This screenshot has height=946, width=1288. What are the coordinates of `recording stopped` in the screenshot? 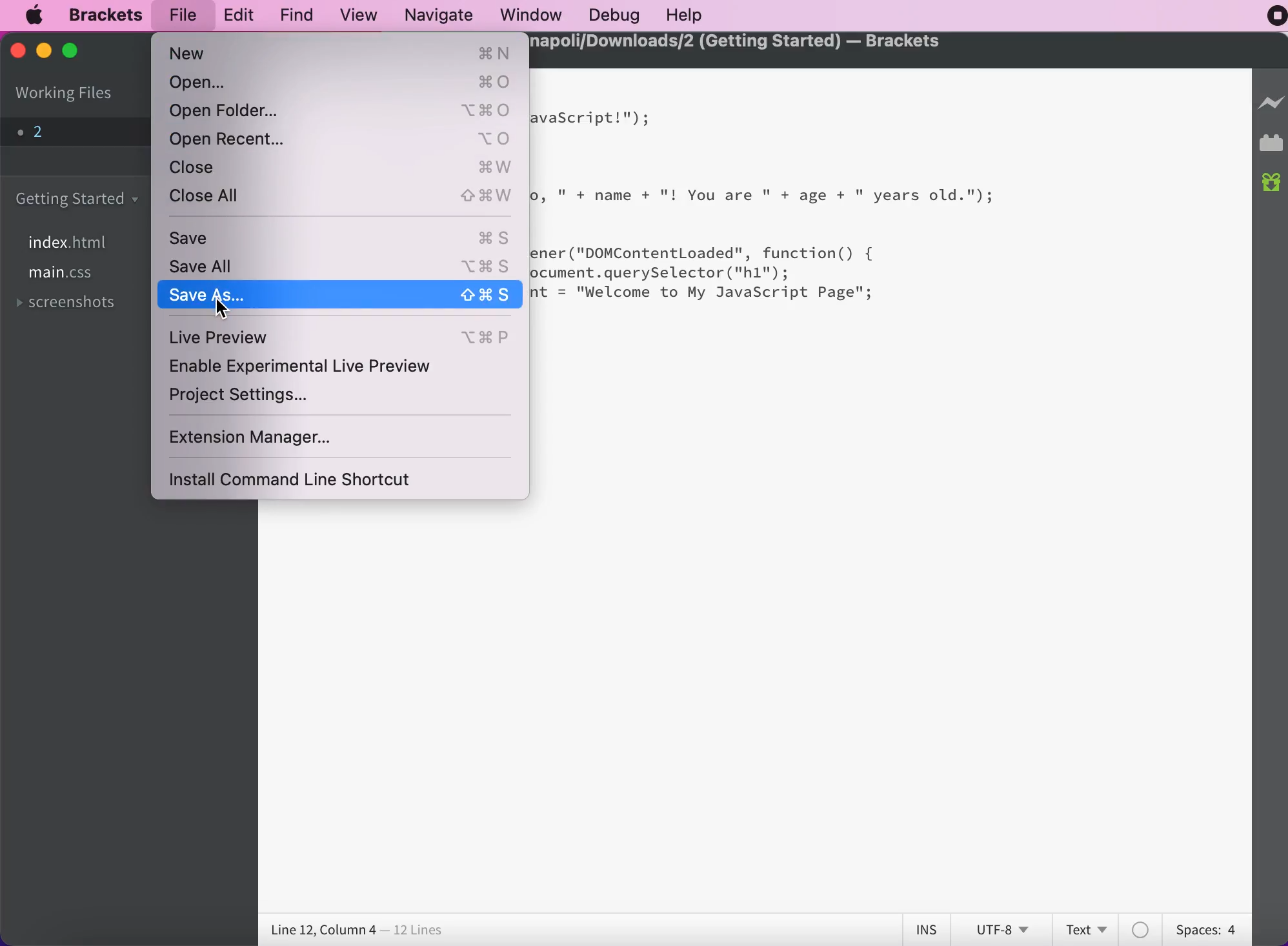 It's located at (1269, 19).